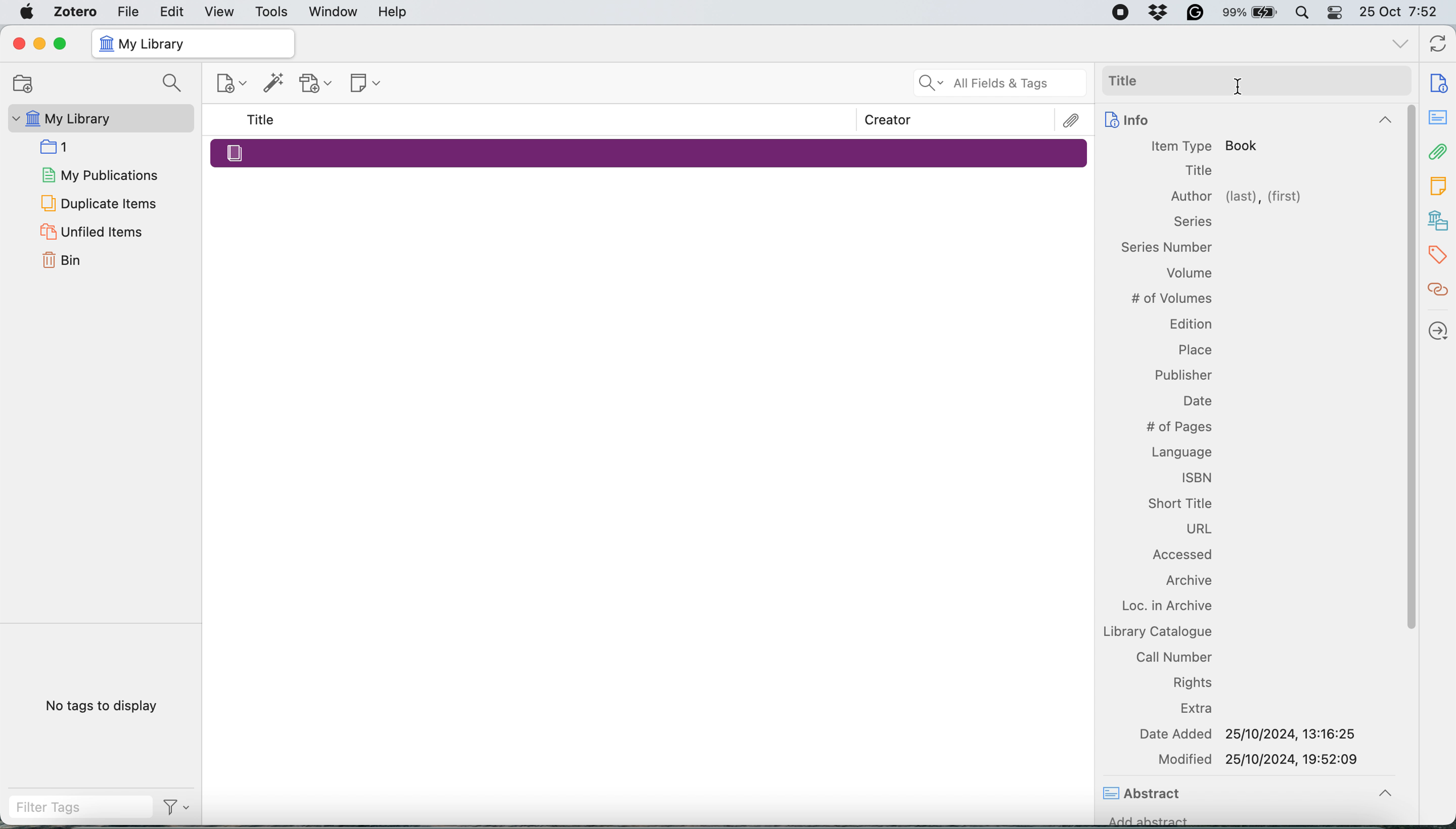  I want to click on ISBN, so click(1197, 477).